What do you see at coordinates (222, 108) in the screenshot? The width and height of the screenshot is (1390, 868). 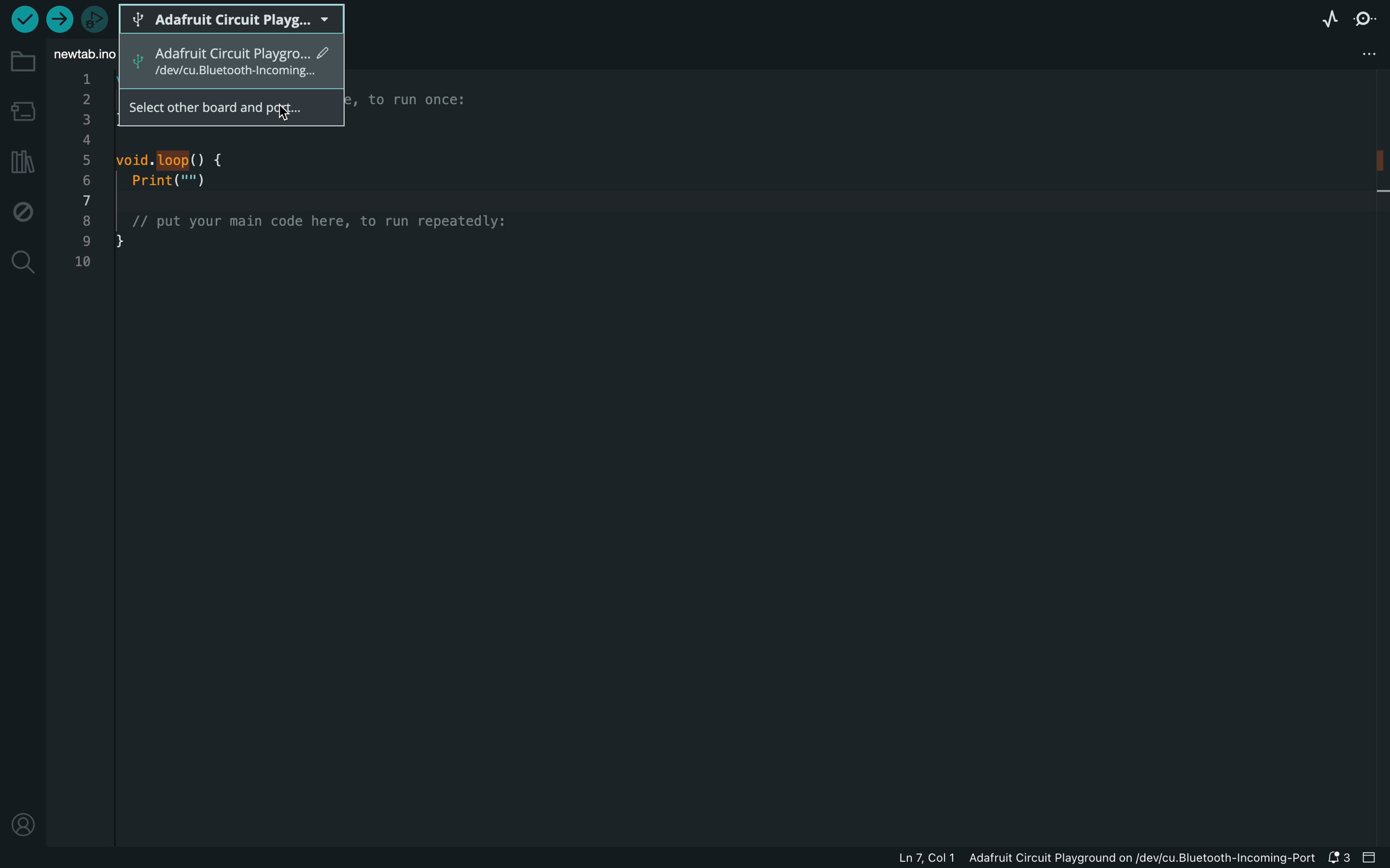 I see `select other board` at bounding box center [222, 108].